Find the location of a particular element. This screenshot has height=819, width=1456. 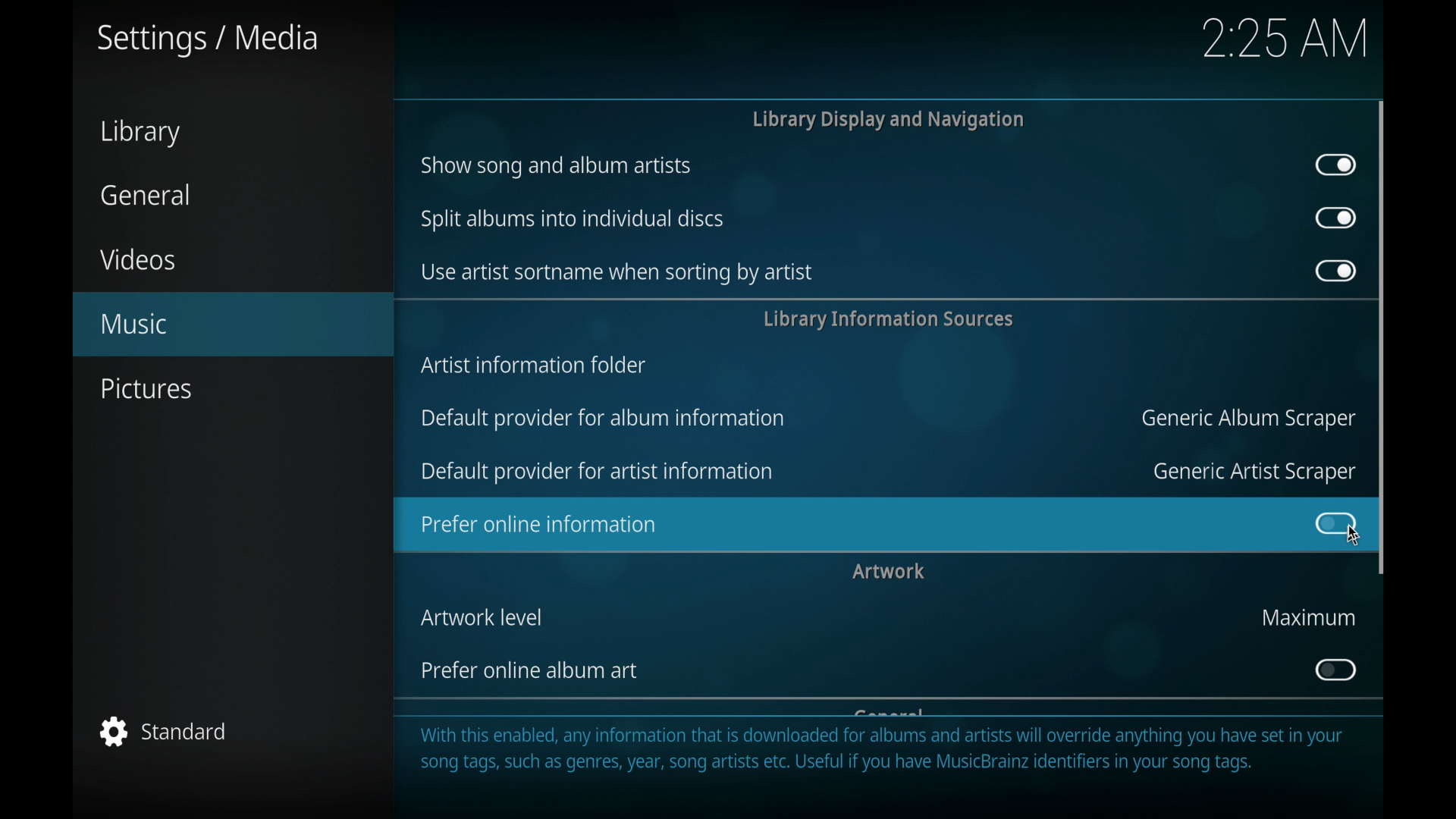

default provider for album information is located at coordinates (605, 419).